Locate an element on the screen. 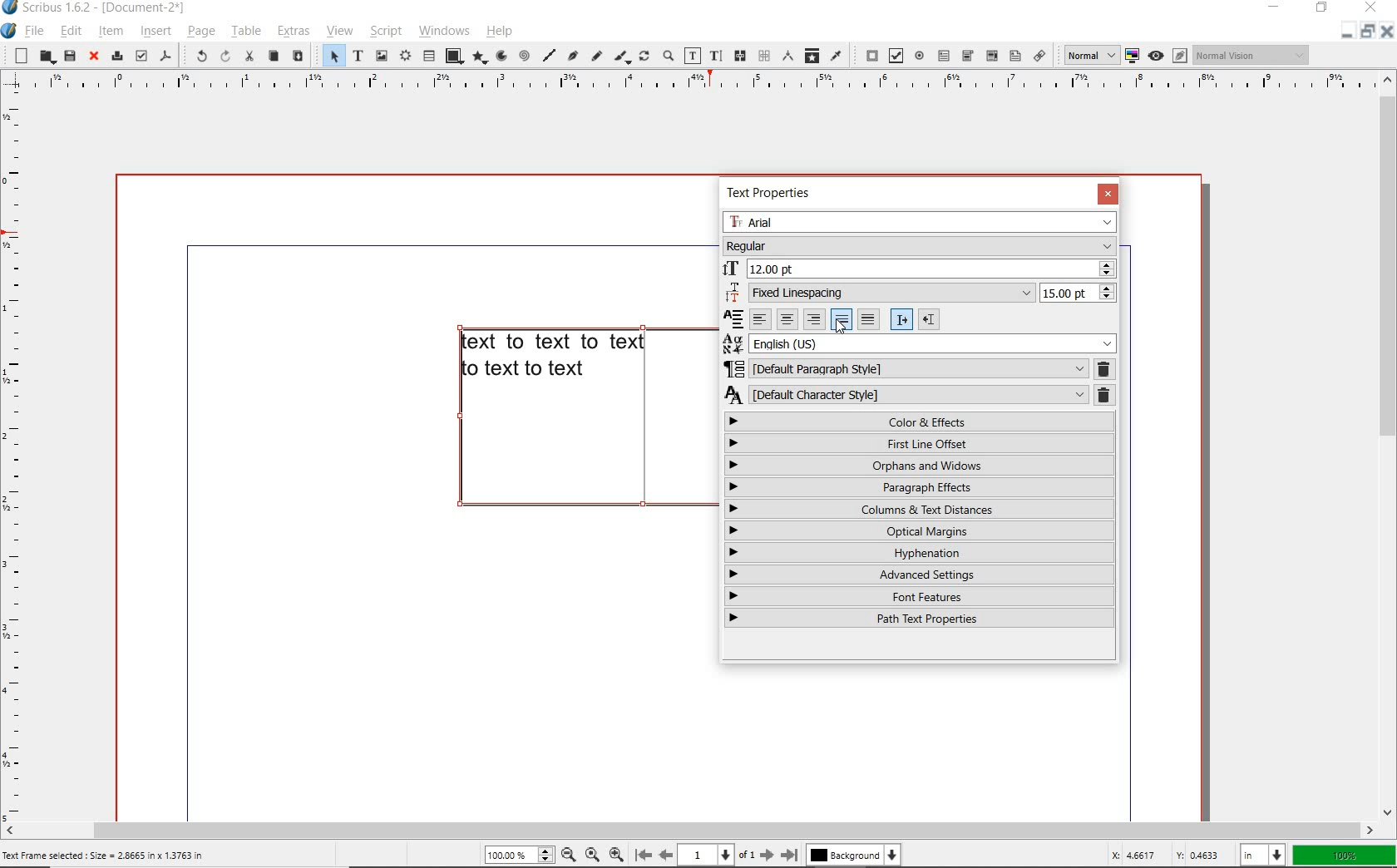  shape is located at coordinates (451, 57).